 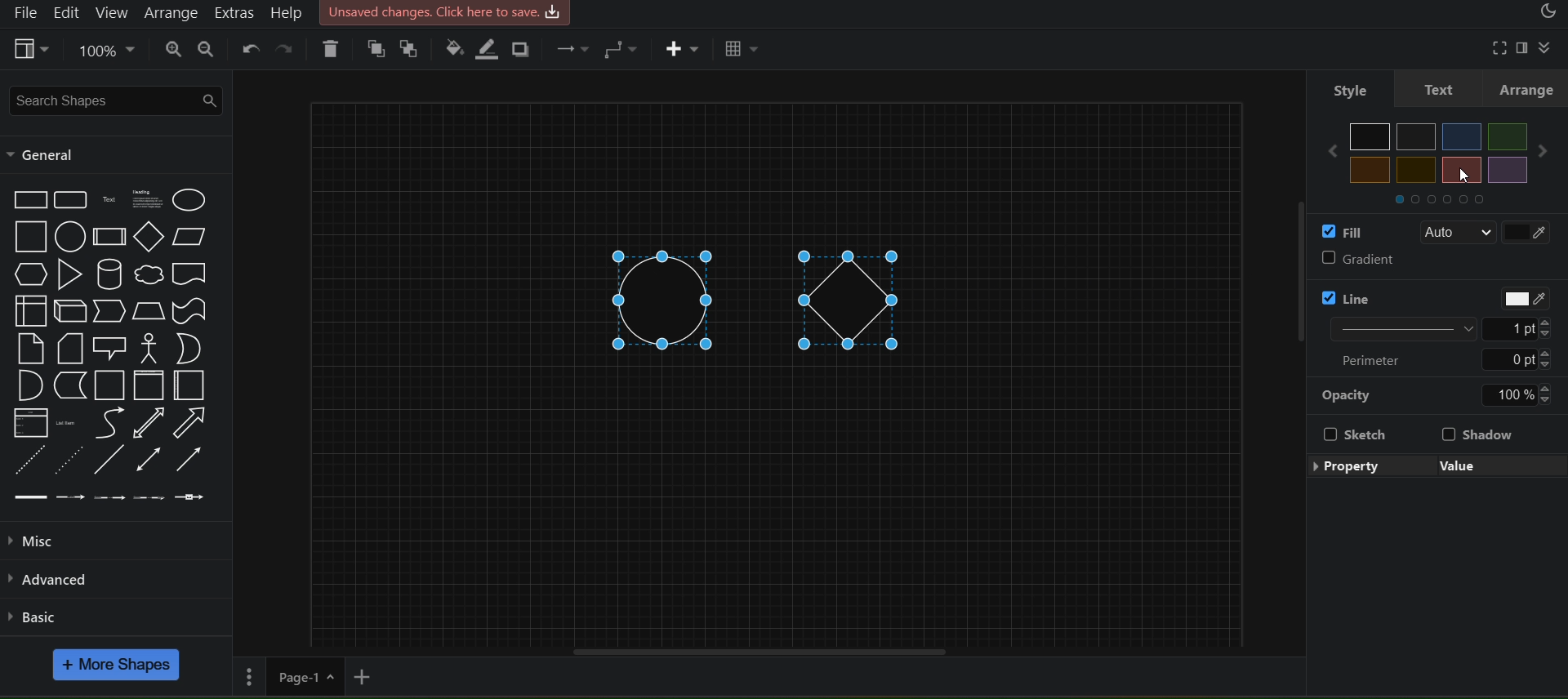 What do you see at coordinates (148, 236) in the screenshot?
I see `Diamond` at bounding box center [148, 236].